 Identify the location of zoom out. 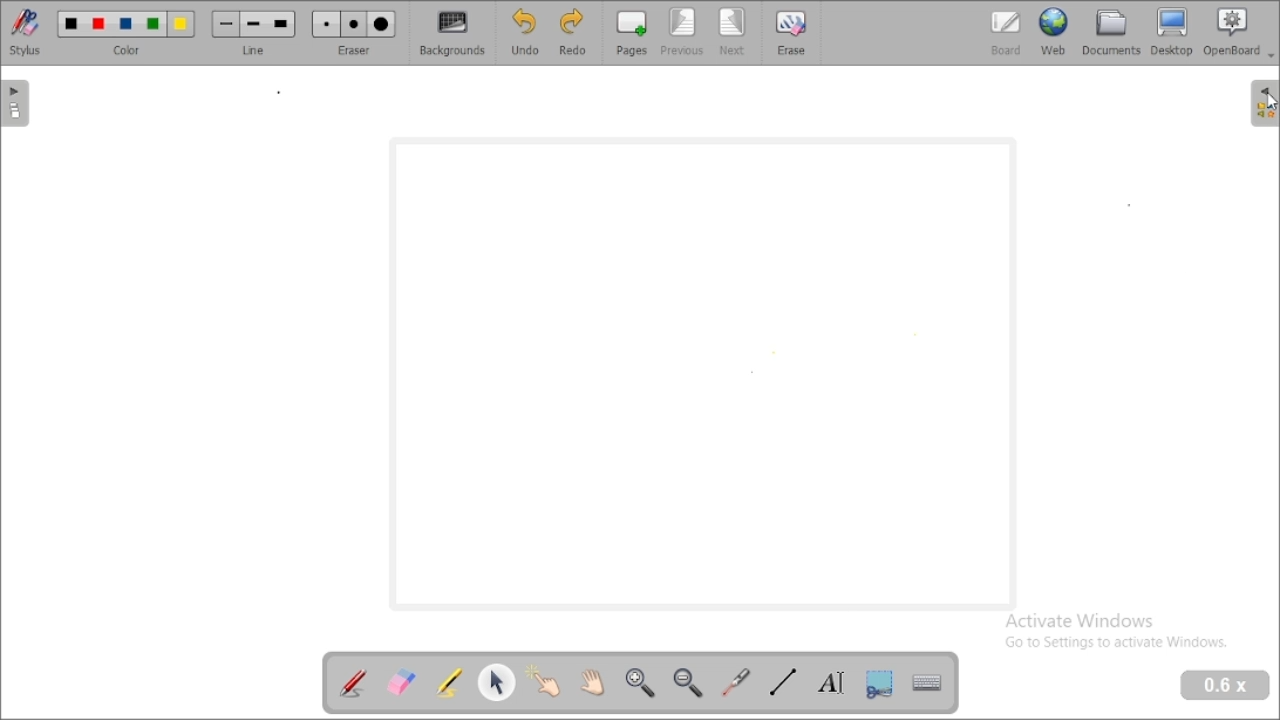
(690, 682).